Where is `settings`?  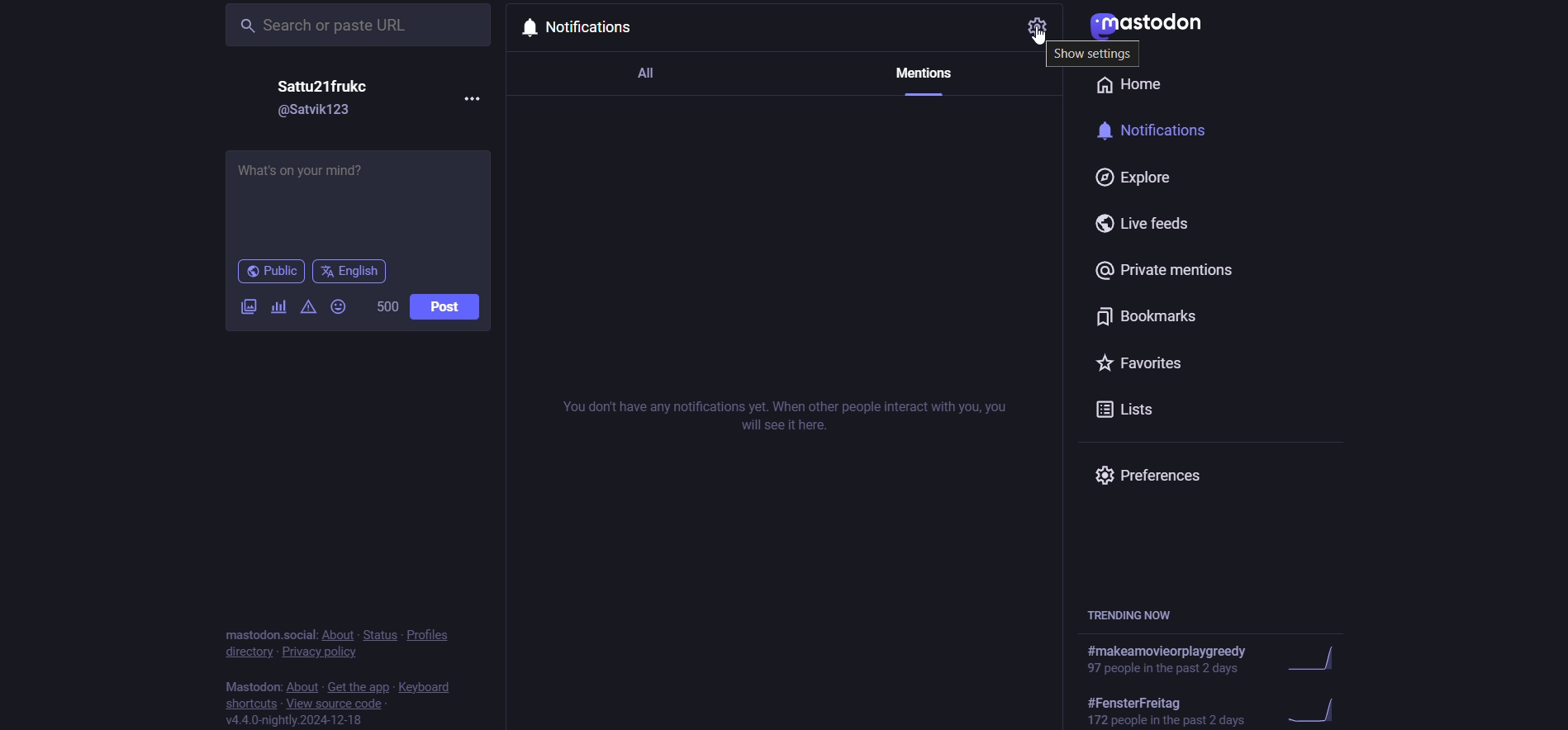
settings is located at coordinates (1036, 27).